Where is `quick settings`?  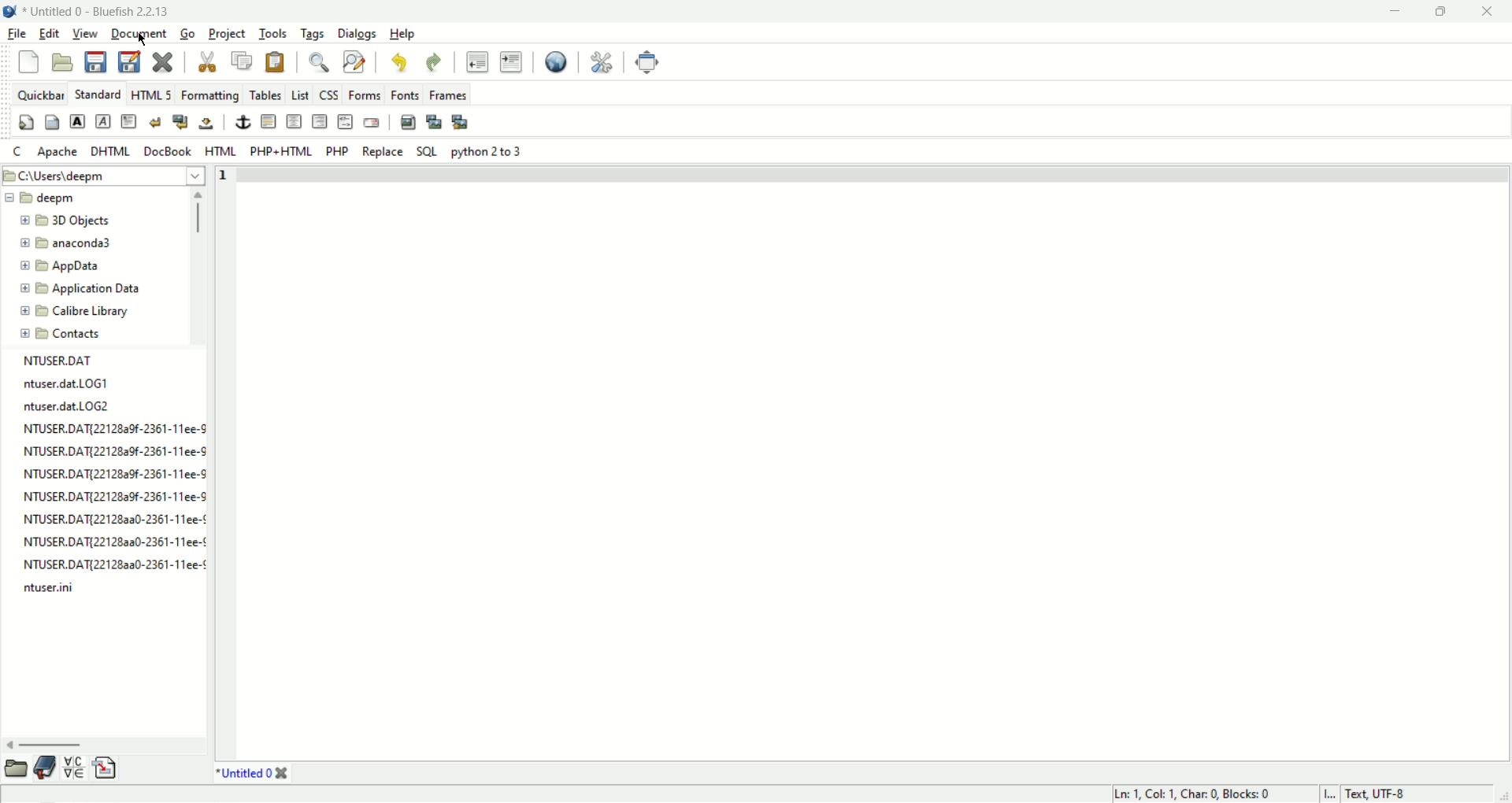 quick settings is located at coordinates (27, 124).